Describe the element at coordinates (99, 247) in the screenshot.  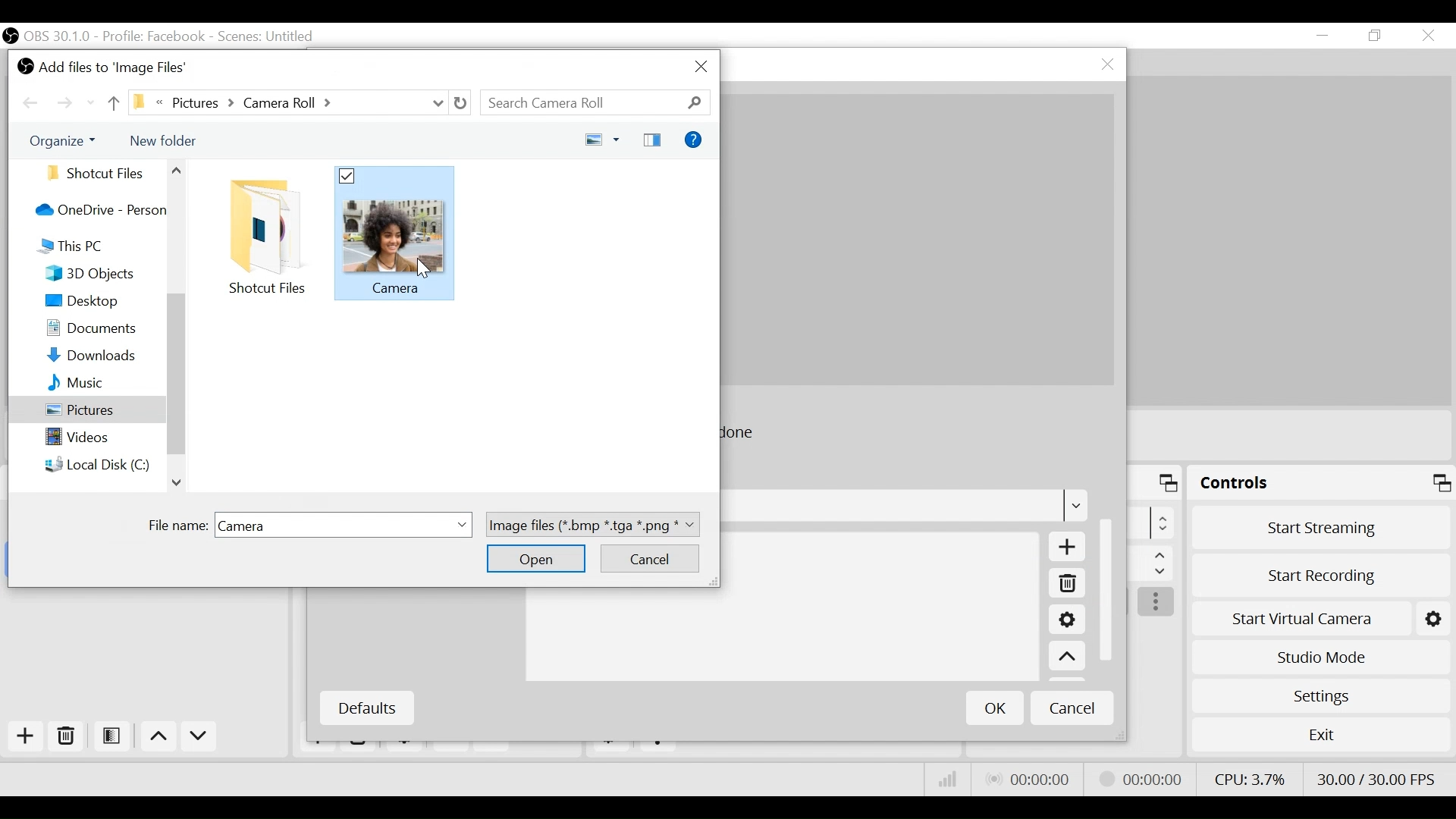
I see `This PC` at that location.